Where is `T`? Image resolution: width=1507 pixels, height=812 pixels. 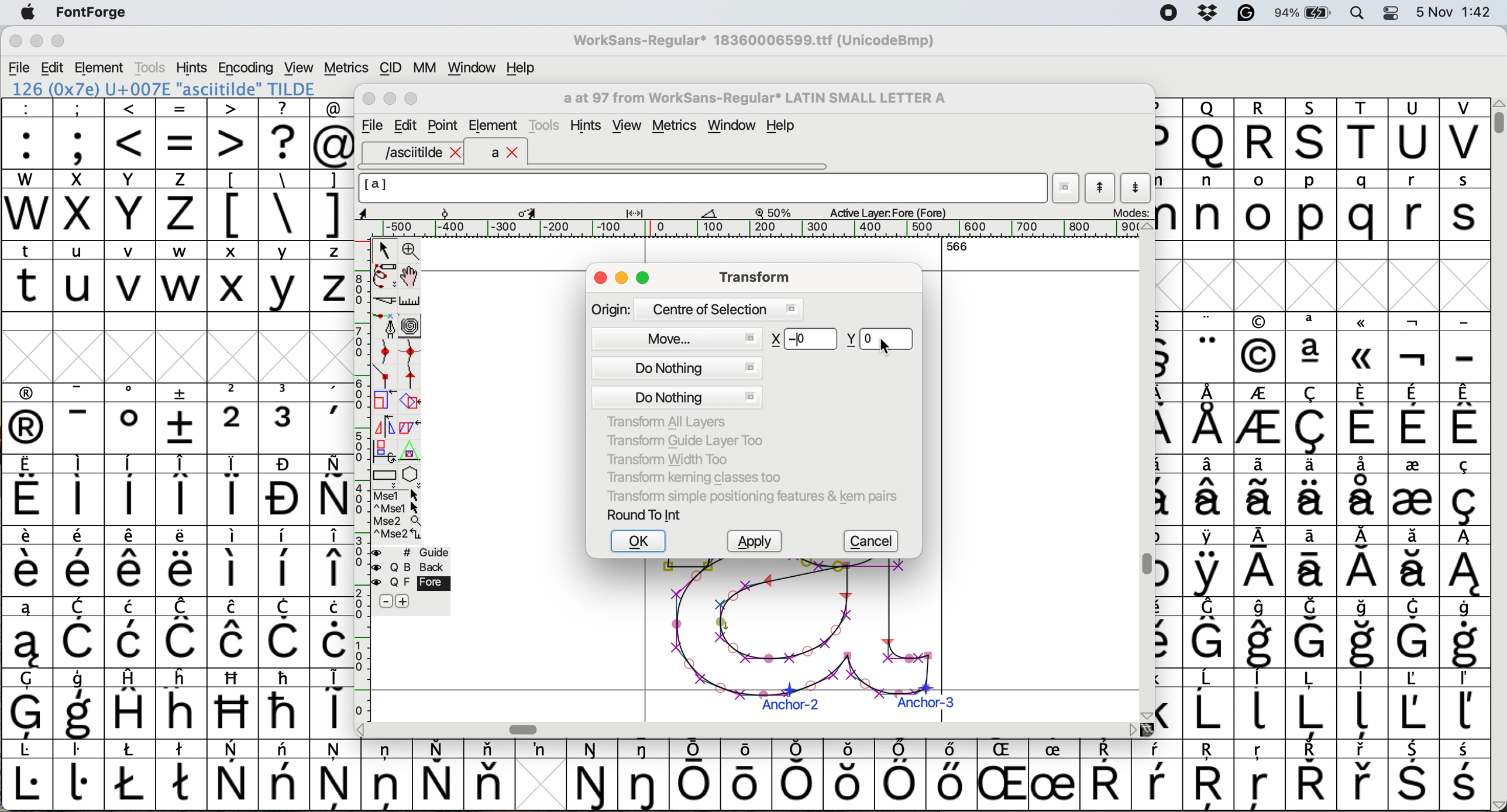
T is located at coordinates (1365, 135).